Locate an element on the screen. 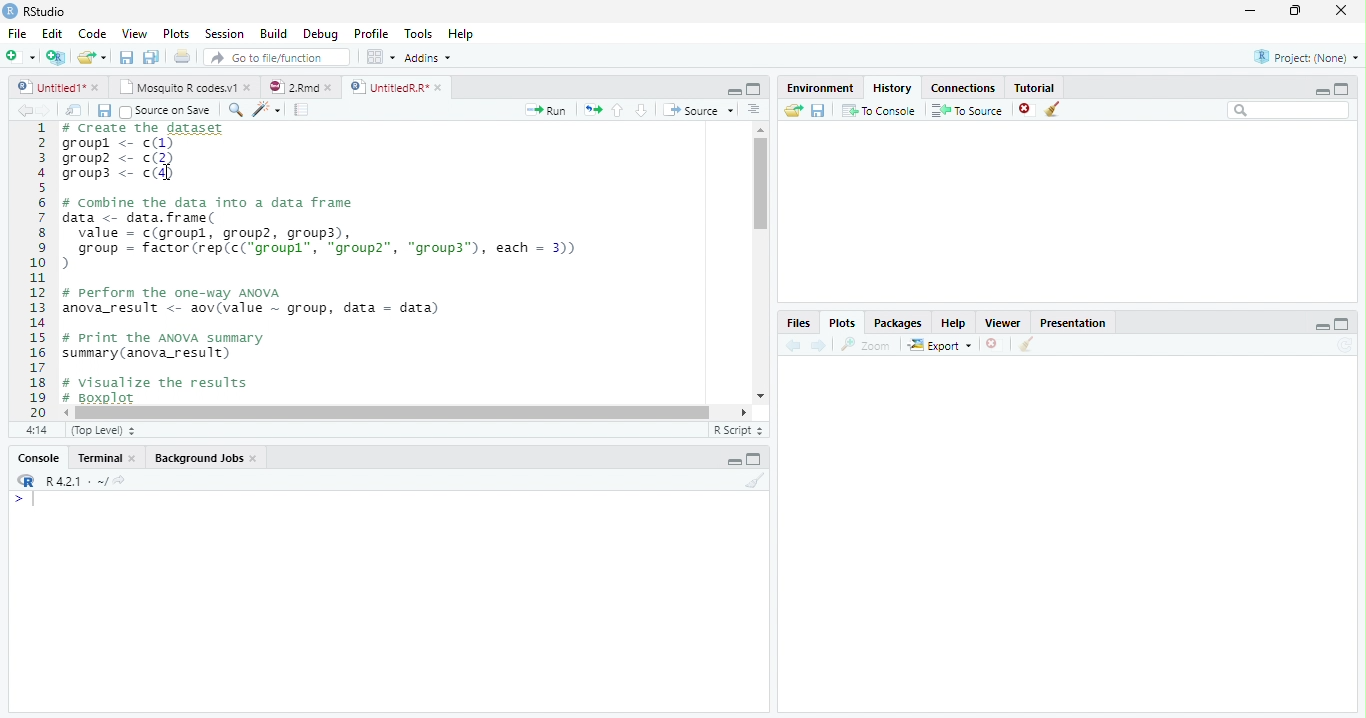  Run is located at coordinates (546, 110).